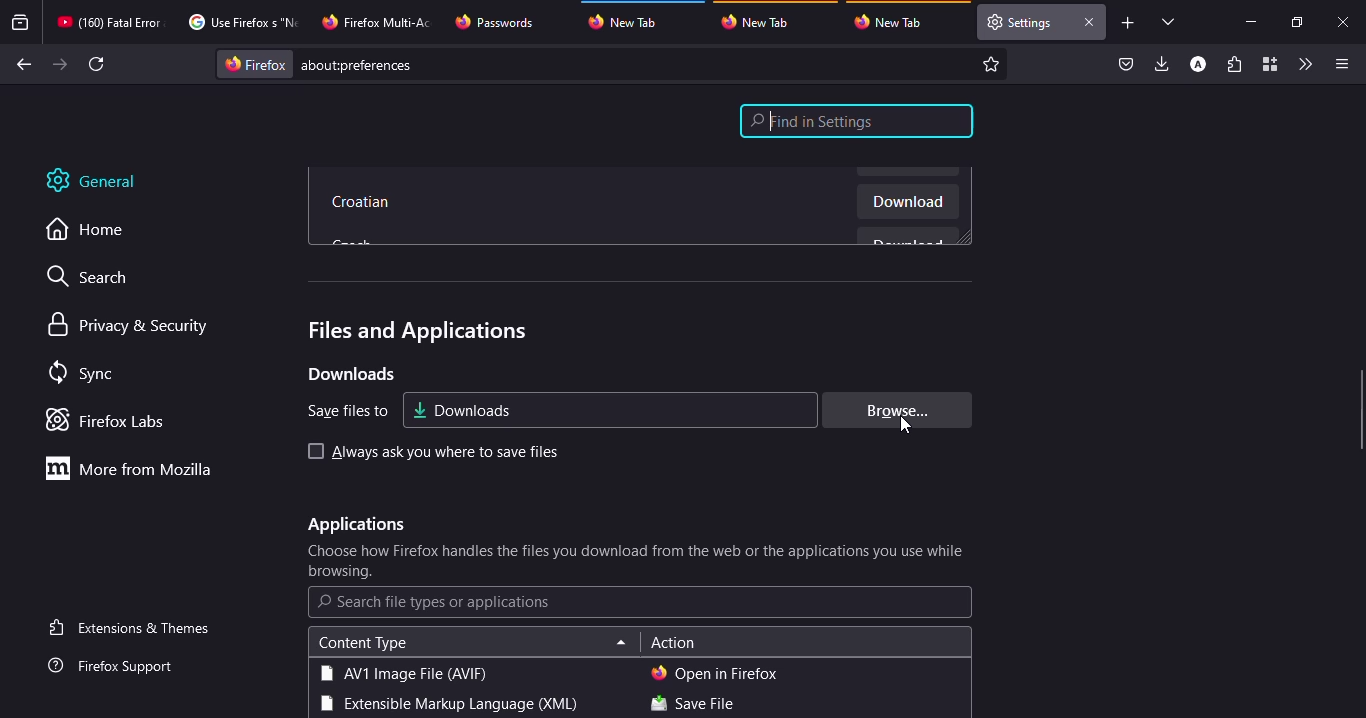 This screenshot has height=718, width=1366. I want to click on extensions, so click(1234, 66).